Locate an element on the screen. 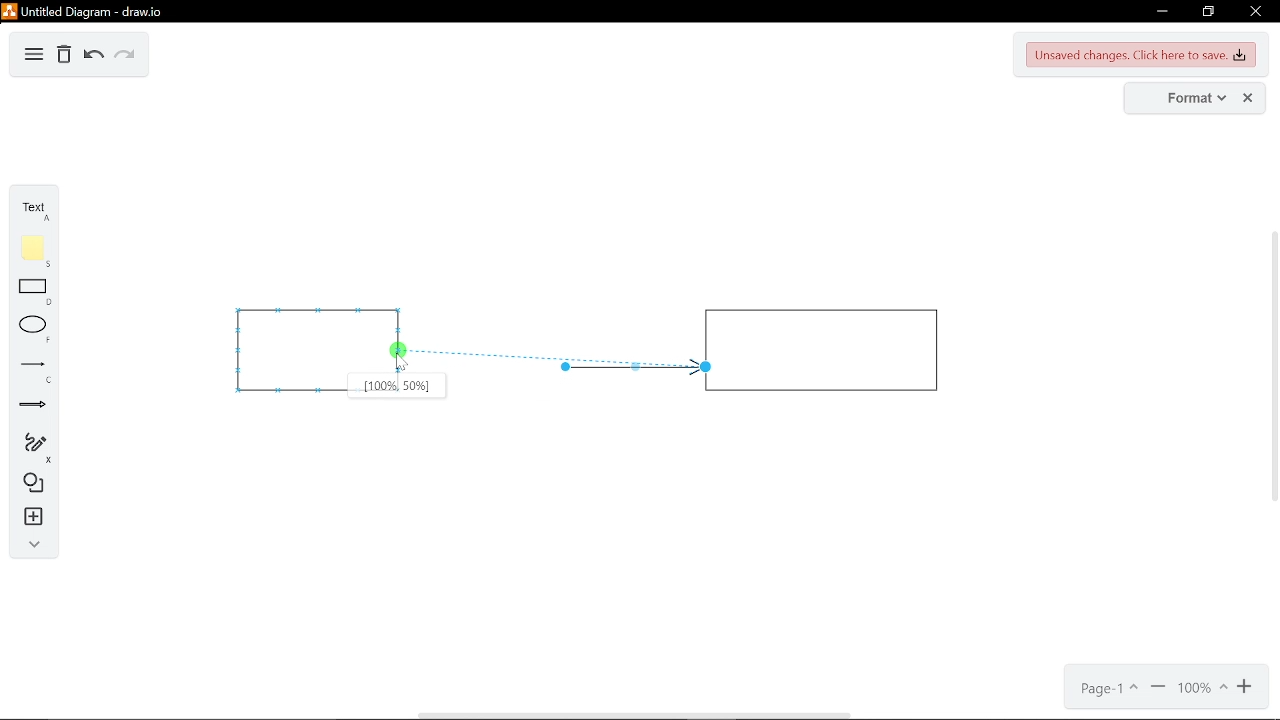 This screenshot has height=720, width=1280. zoom out is located at coordinates (1158, 691).